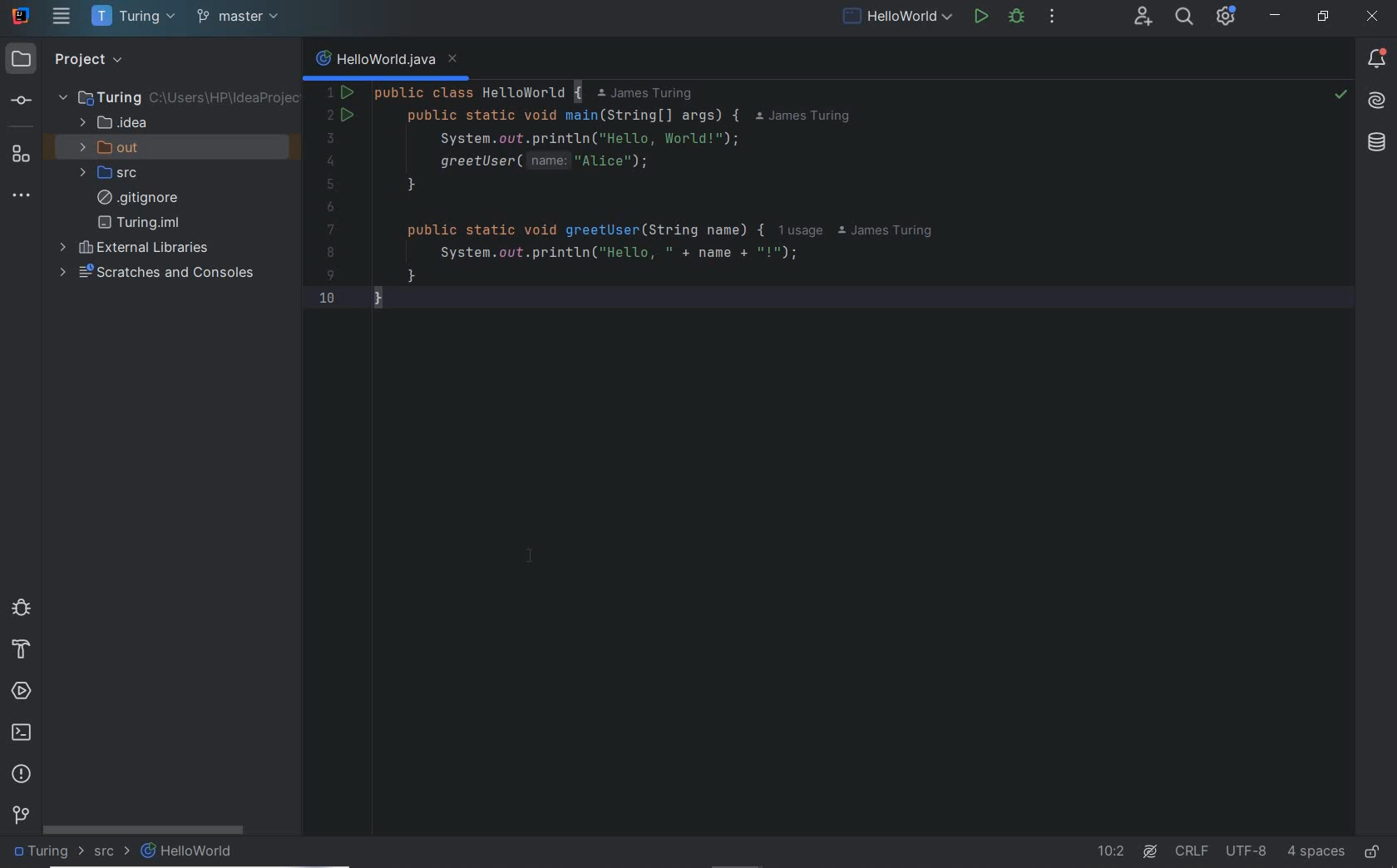 Image resolution: width=1397 pixels, height=868 pixels. What do you see at coordinates (114, 123) in the screenshot?
I see `.idea` at bounding box center [114, 123].